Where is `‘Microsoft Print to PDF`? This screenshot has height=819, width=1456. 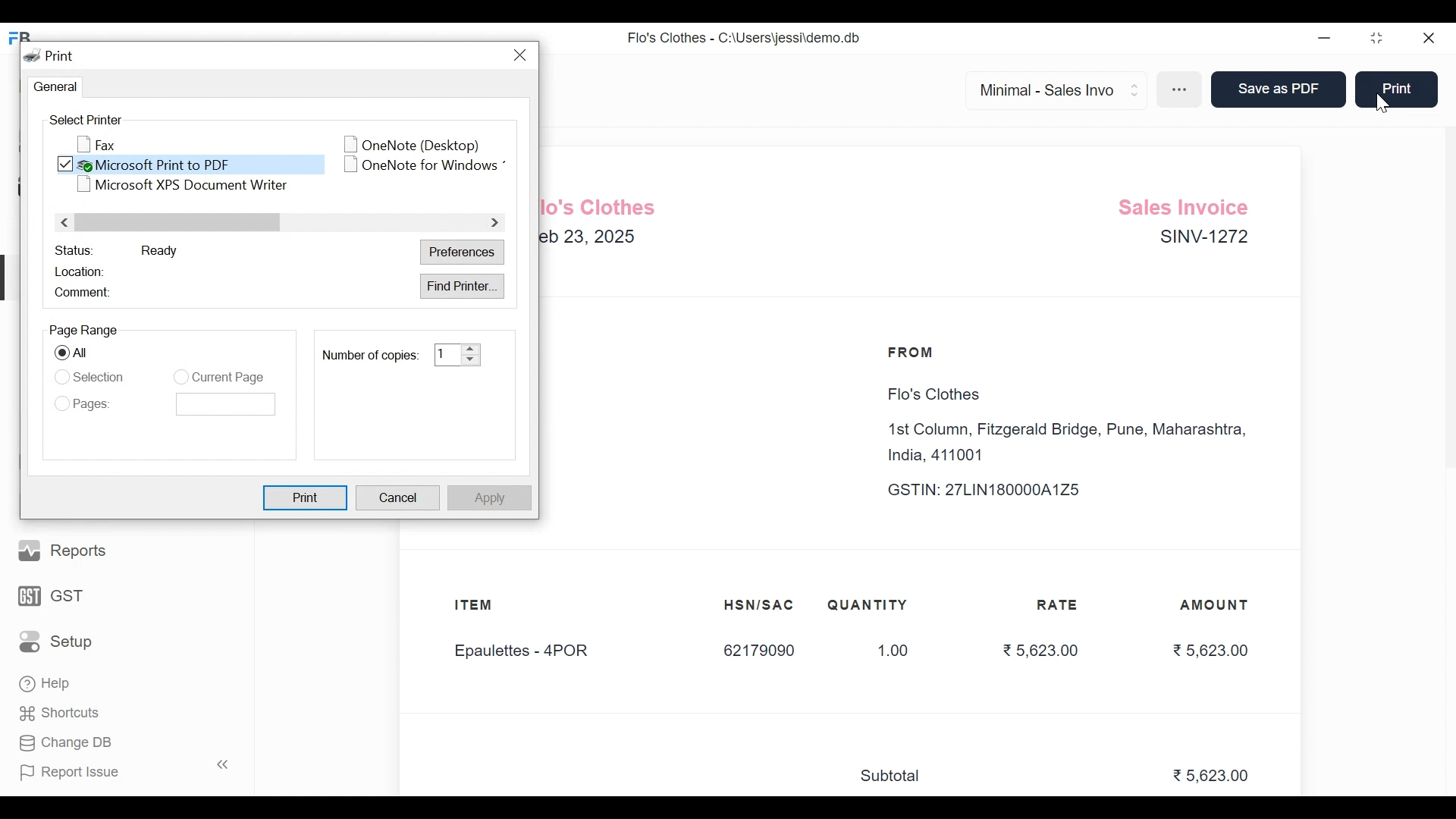 ‘Microsoft Print to PDF is located at coordinates (201, 164).